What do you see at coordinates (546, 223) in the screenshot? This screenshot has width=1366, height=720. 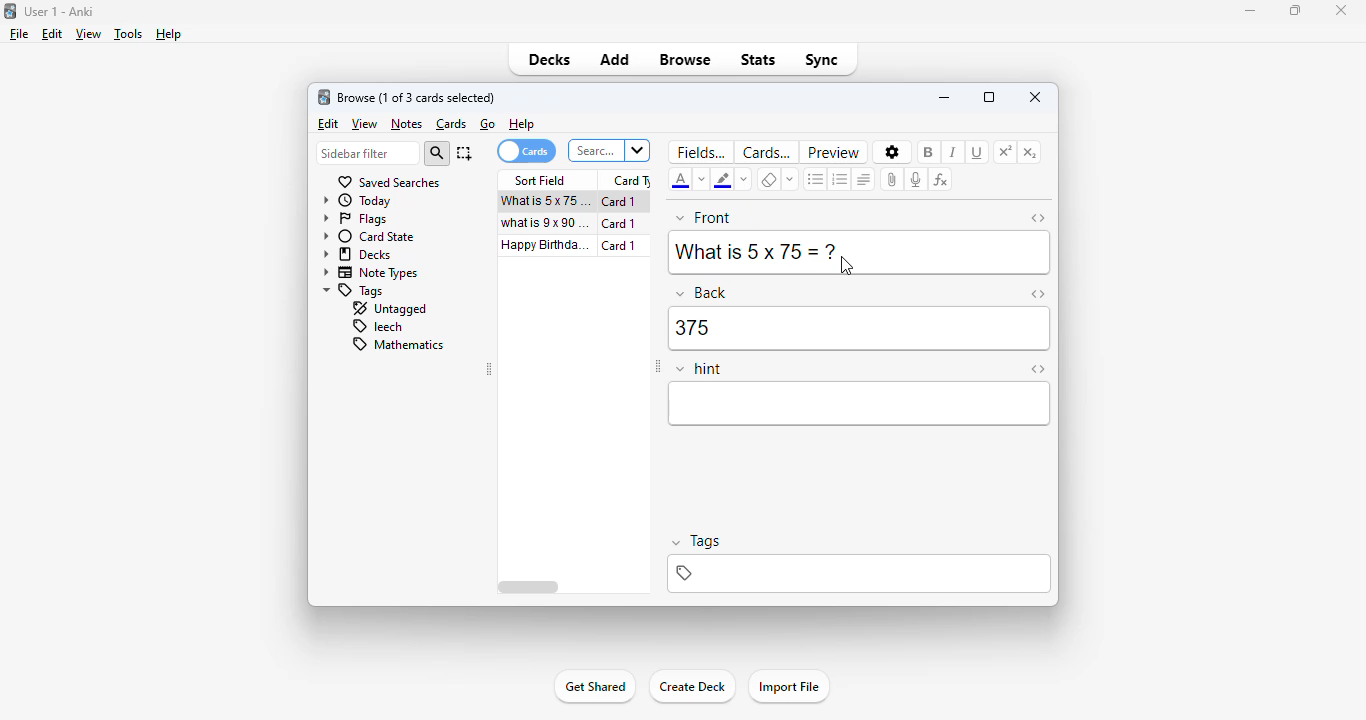 I see `what is 9x90=?` at bounding box center [546, 223].